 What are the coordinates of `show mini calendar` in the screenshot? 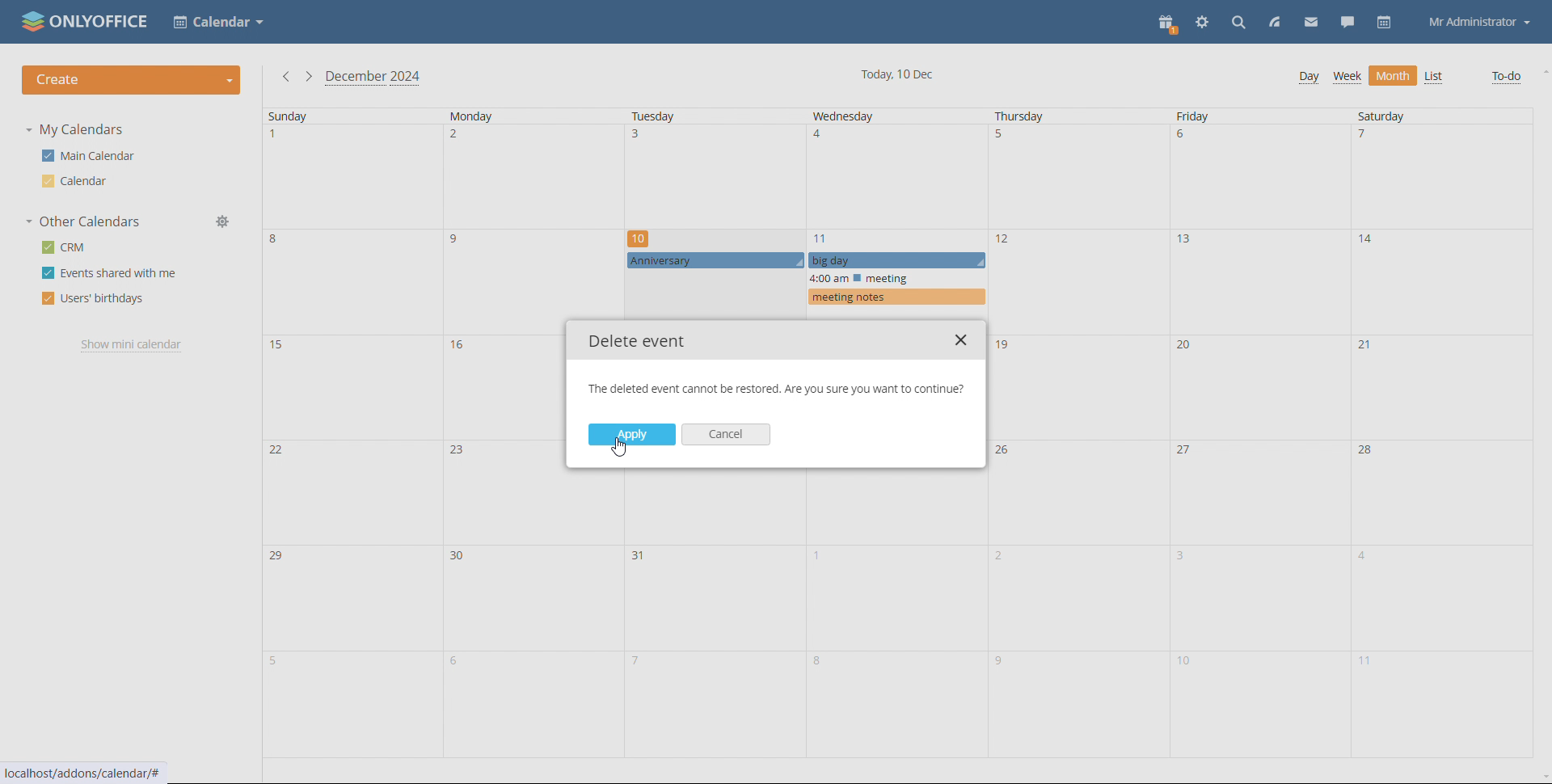 It's located at (129, 345).